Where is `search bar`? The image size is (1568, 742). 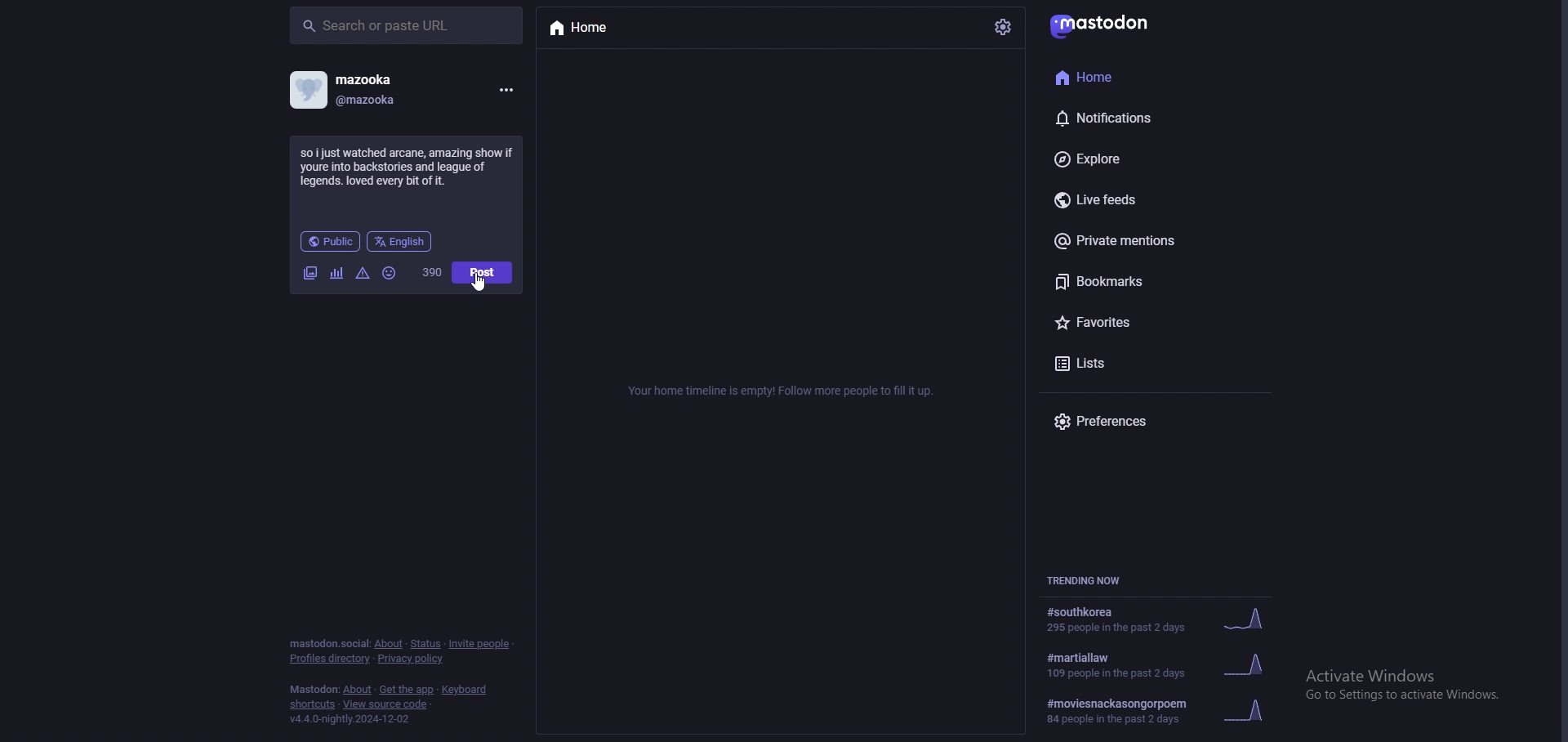
search bar is located at coordinates (406, 26).